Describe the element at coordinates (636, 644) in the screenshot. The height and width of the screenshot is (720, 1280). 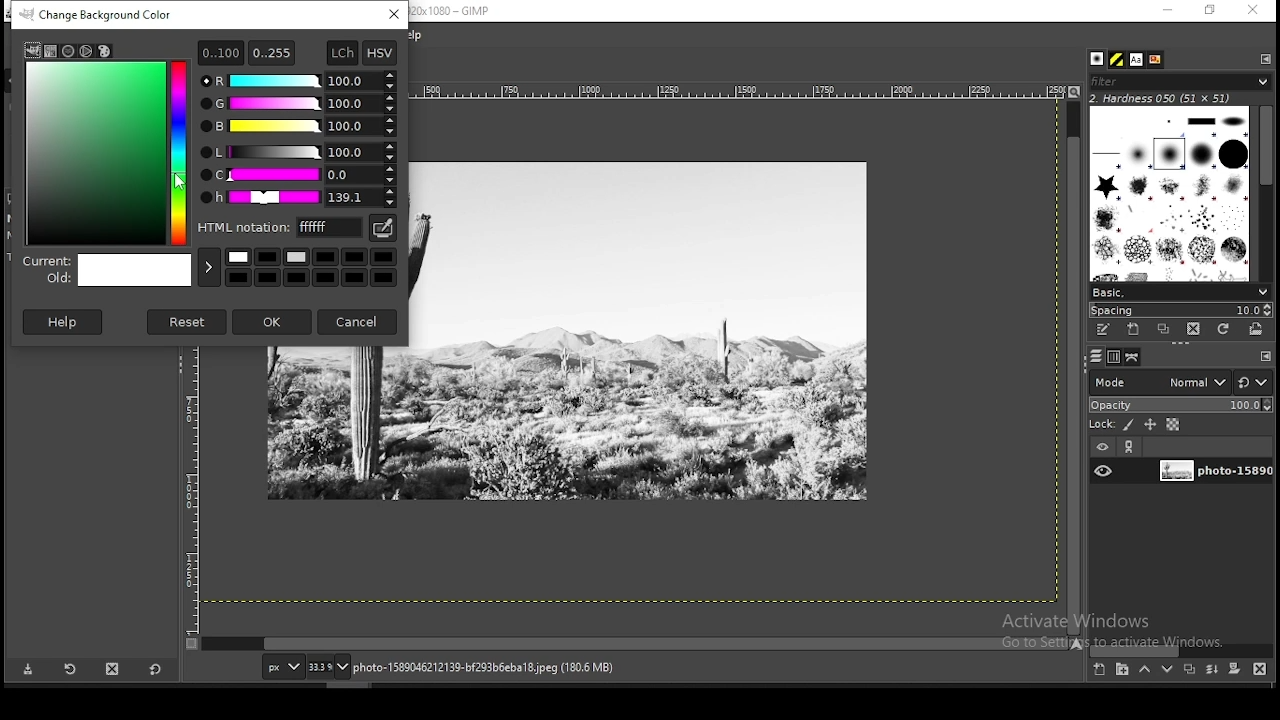
I see `scroll bar` at that location.